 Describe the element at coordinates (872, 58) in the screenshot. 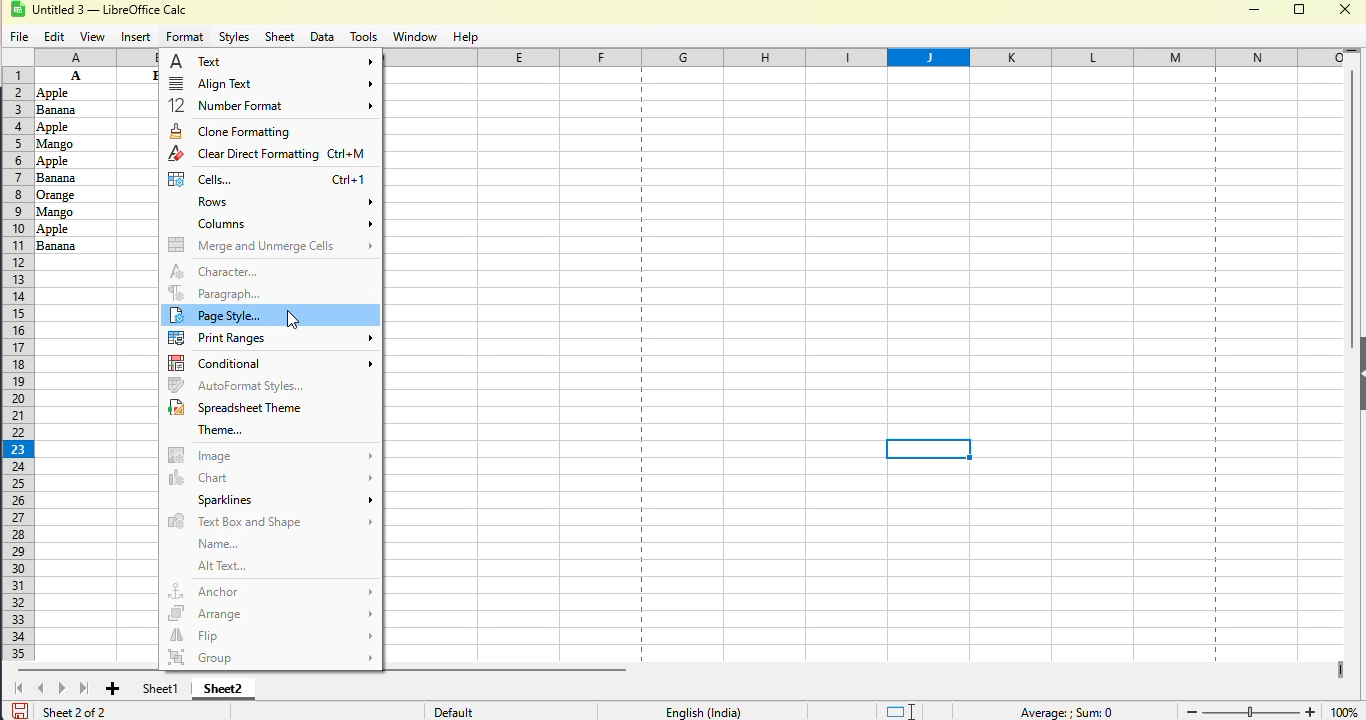

I see `columns` at that location.